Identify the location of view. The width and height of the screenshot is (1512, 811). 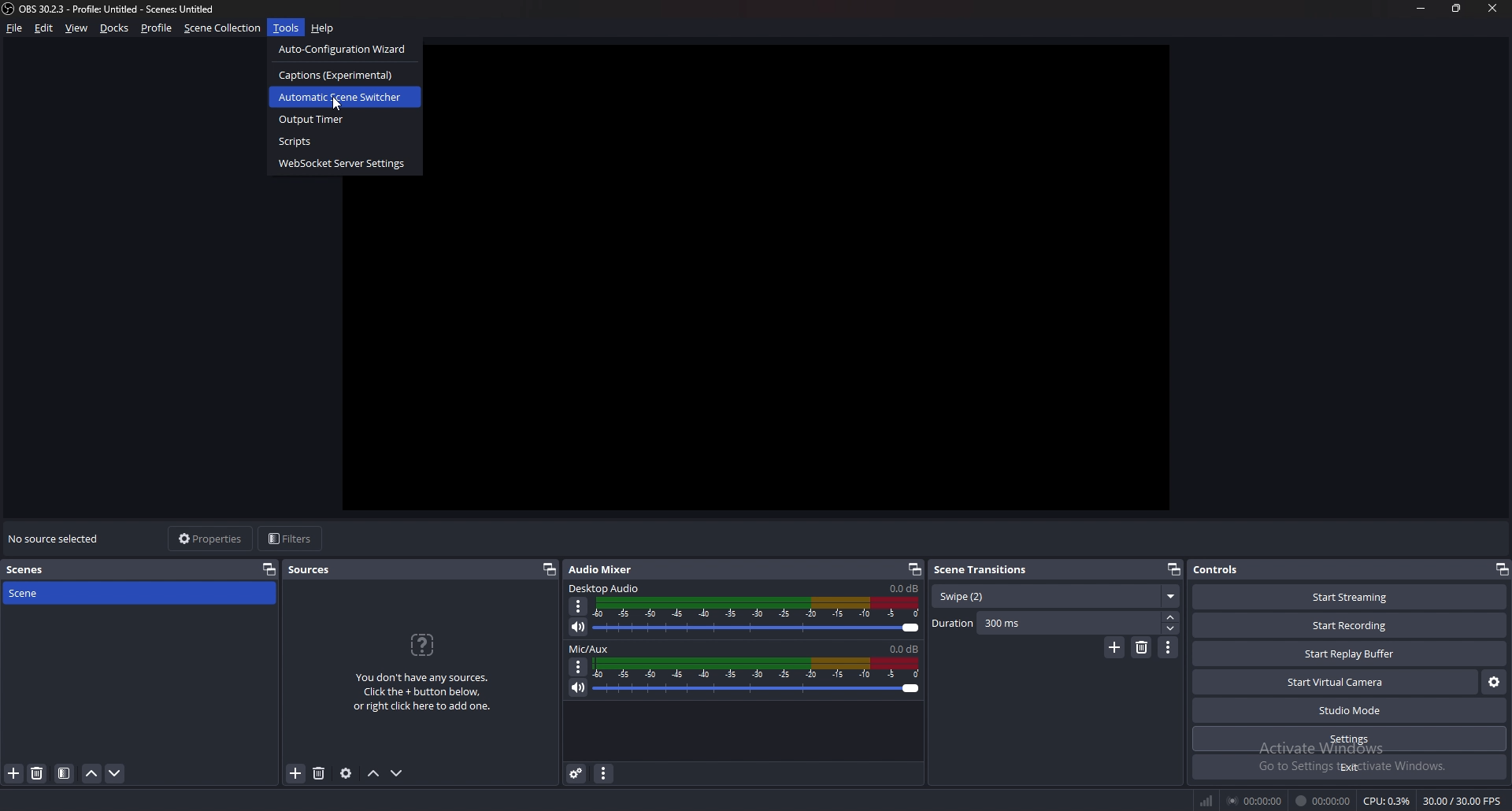
(77, 28).